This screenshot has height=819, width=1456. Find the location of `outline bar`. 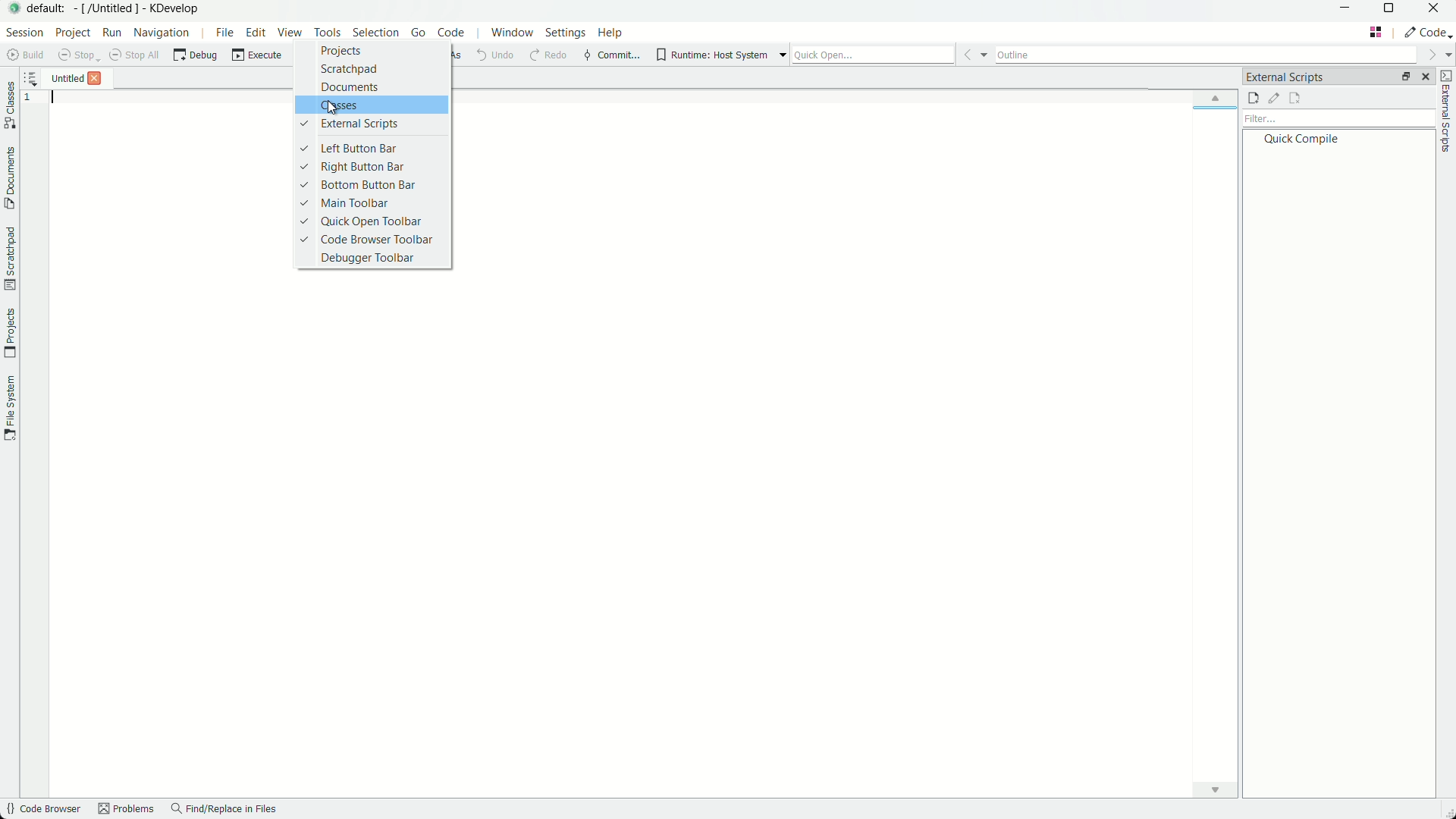

outline bar is located at coordinates (1223, 55).